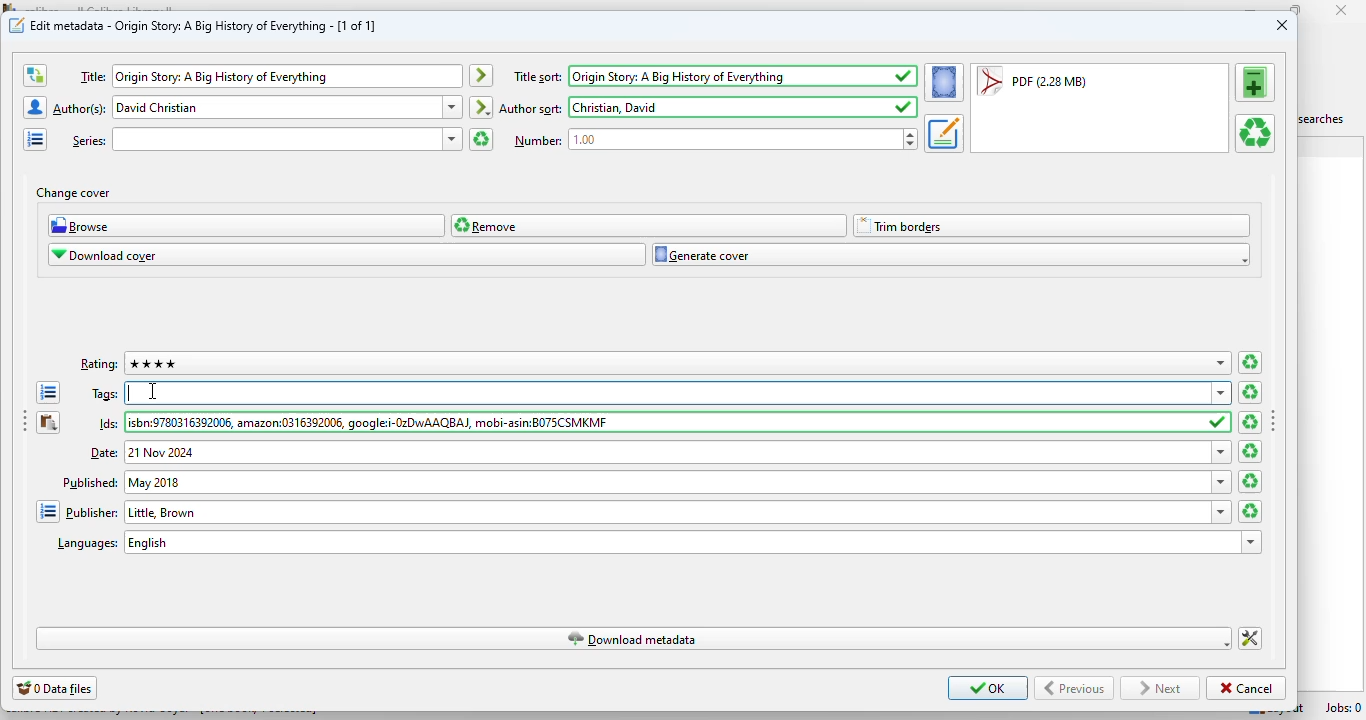  What do you see at coordinates (54, 688) in the screenshot?
I see `0 data files` at bounding box center [54, 688].